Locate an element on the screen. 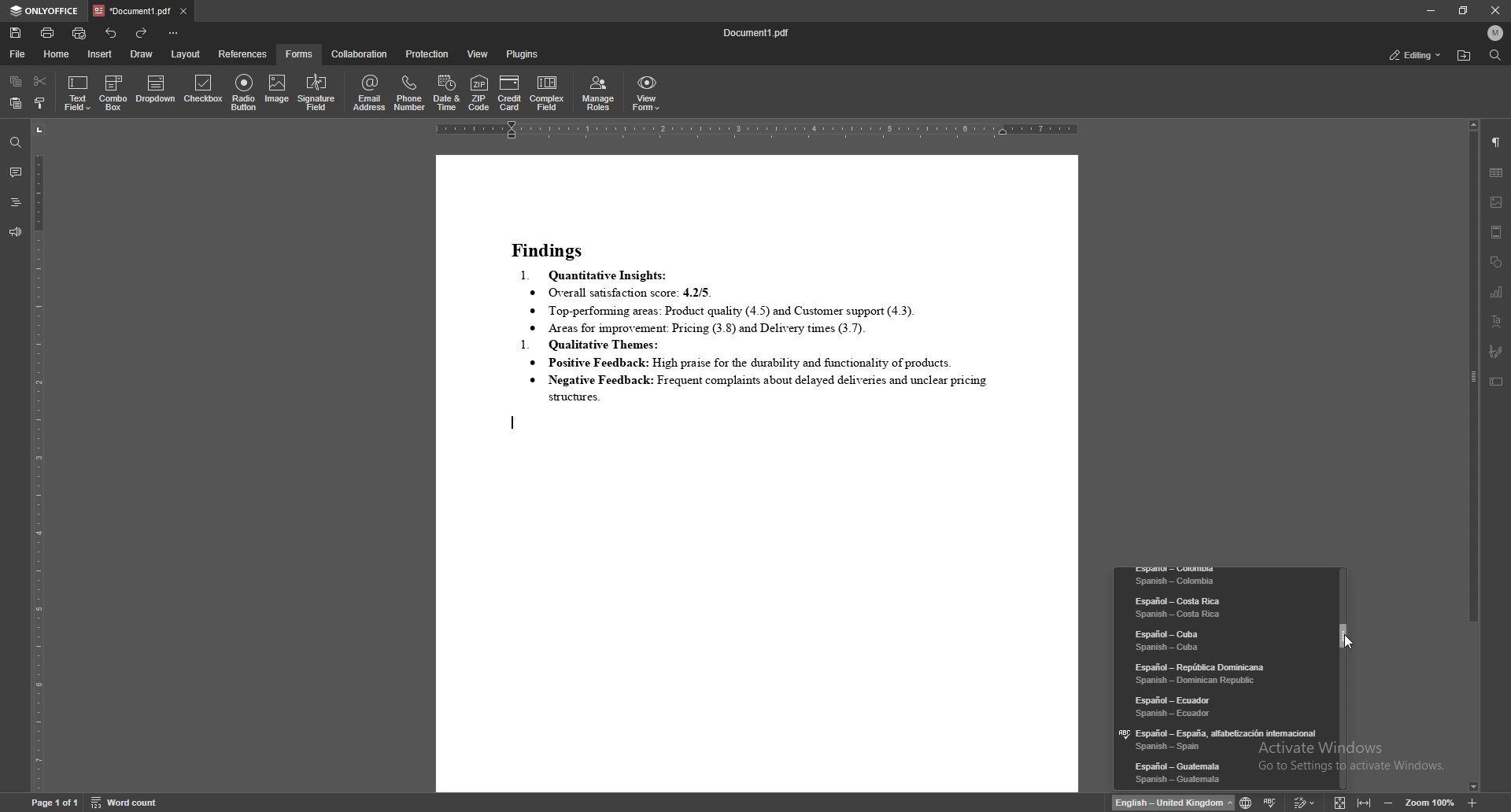 The height and width of the screenshot is (812, 1511). dropdown is located at coordinates (156, 90).